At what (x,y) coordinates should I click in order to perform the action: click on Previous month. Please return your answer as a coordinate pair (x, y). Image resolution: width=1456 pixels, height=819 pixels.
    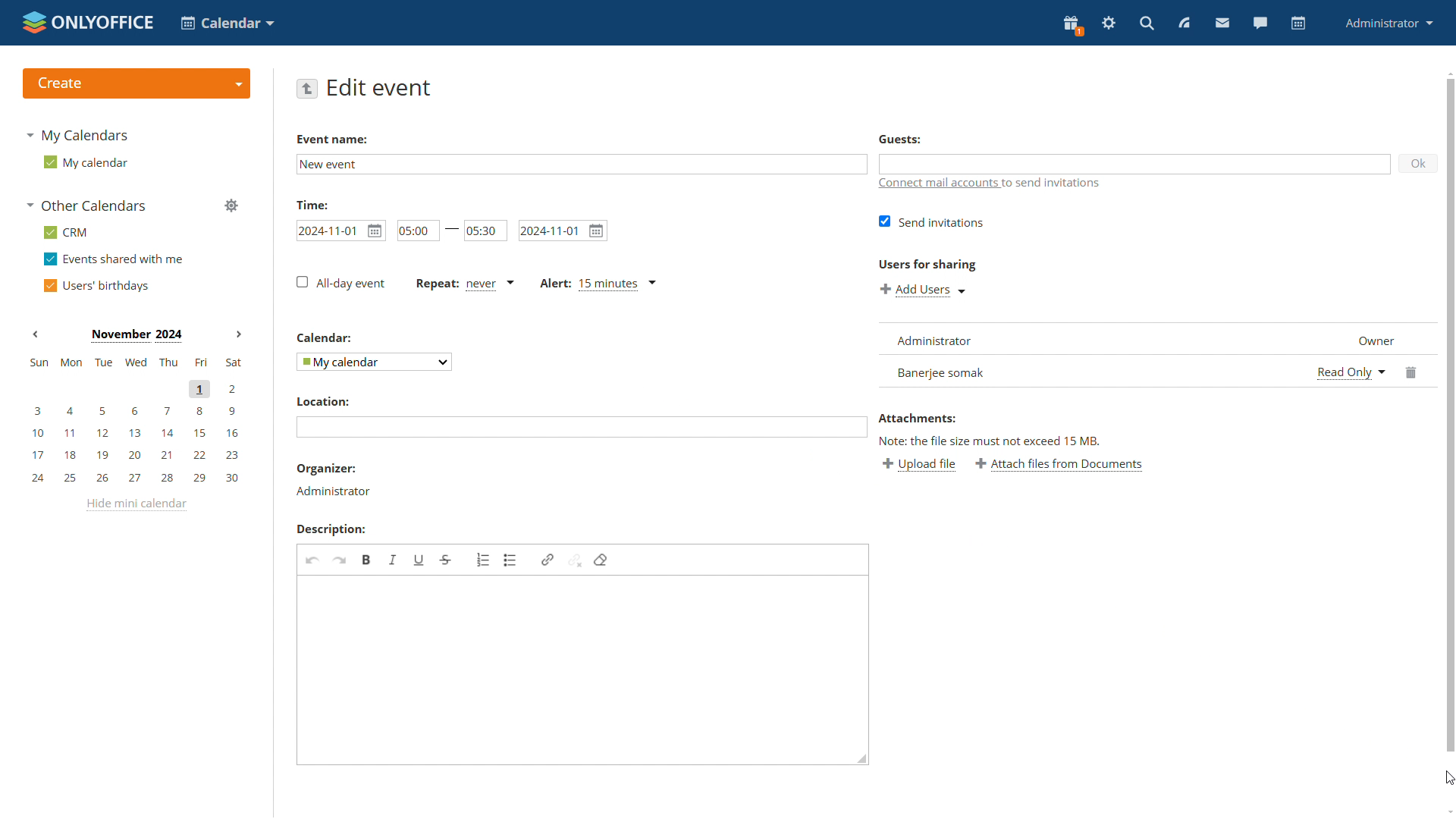
    Looking at the image, I should click on (36, 334).